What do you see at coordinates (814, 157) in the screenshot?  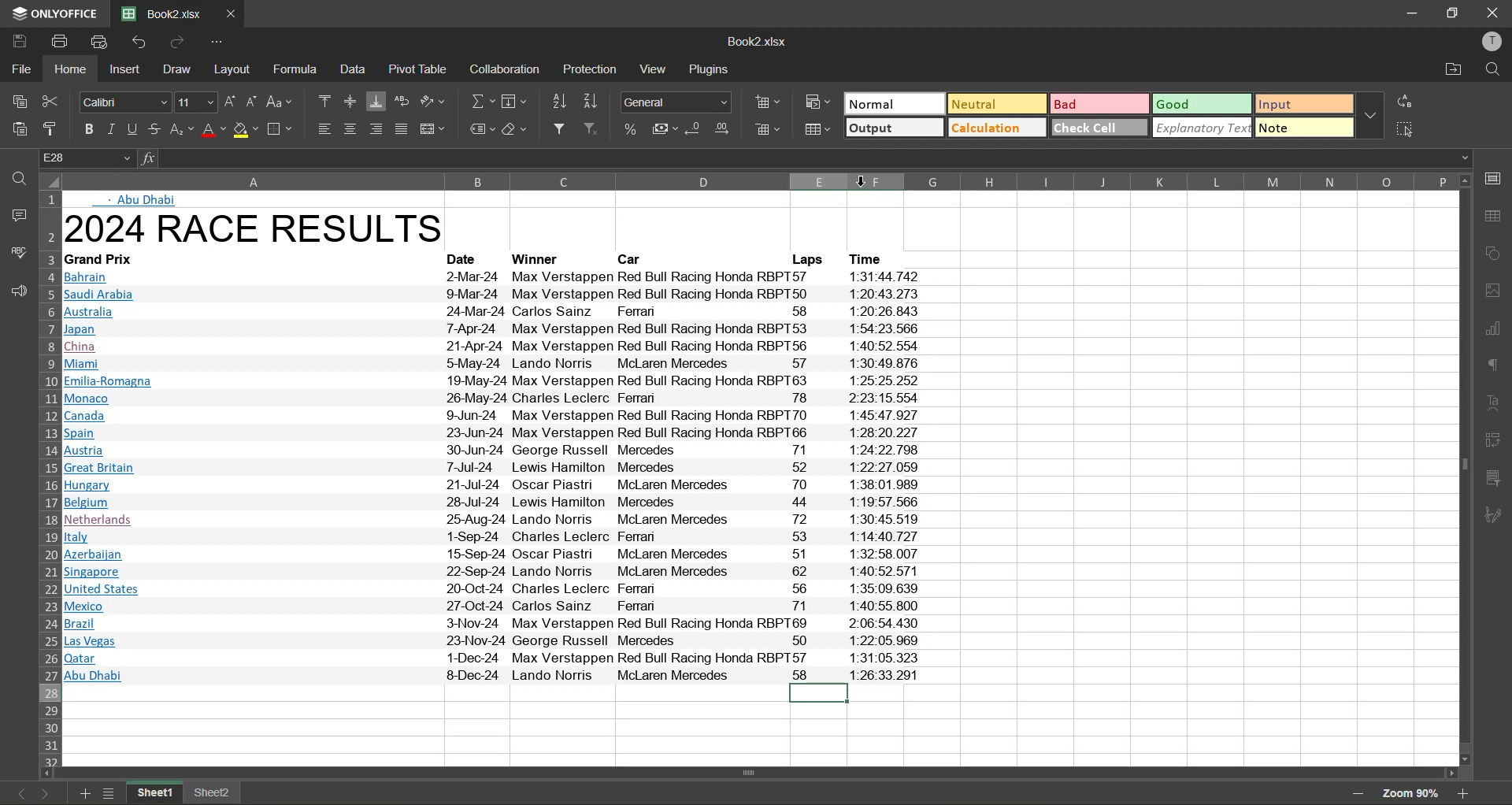 I see `formula bar` at bounding box center [814, 157].